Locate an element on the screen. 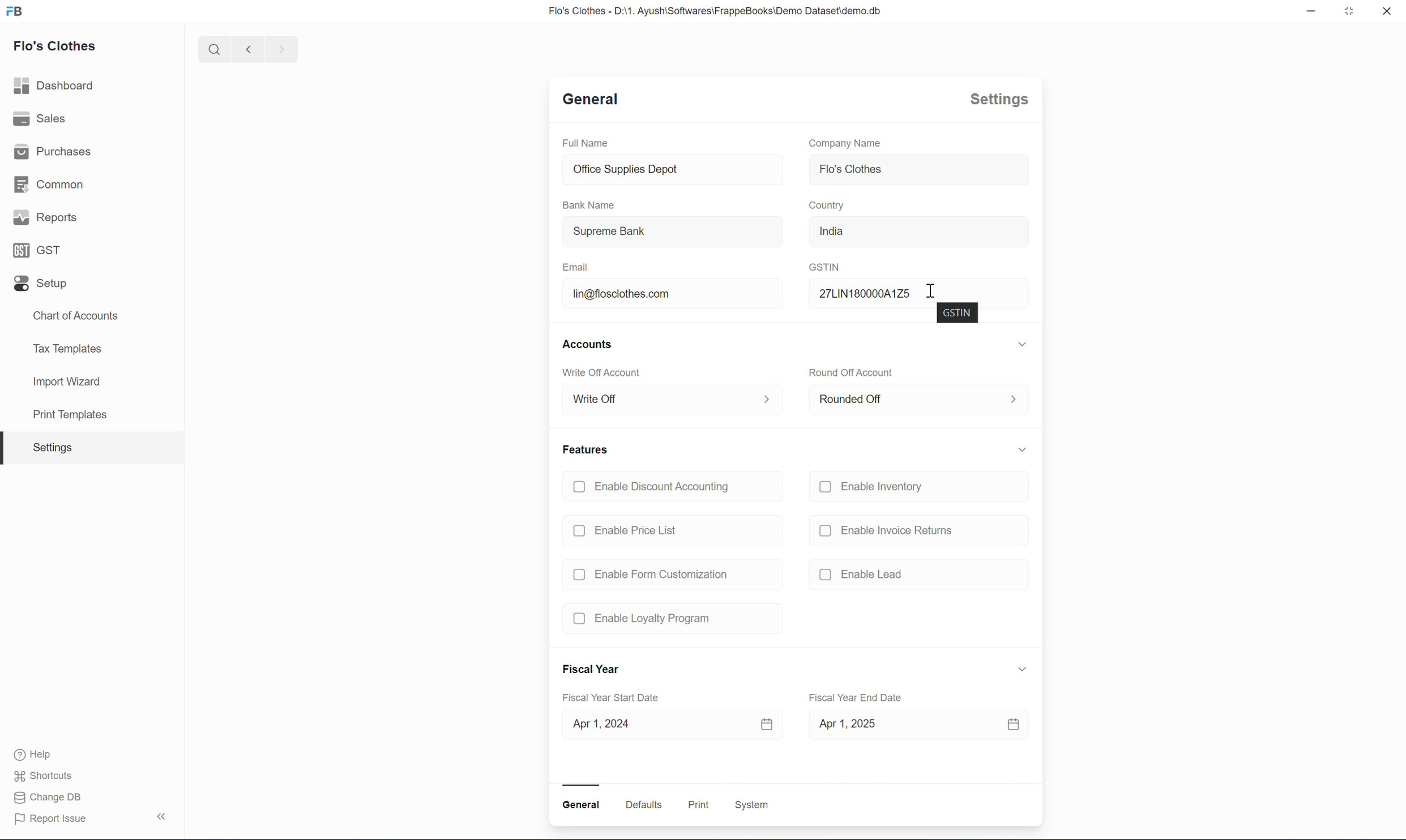 The width and height of the screenshot is (1406, 840). GST is located at coordinates (38, 250).